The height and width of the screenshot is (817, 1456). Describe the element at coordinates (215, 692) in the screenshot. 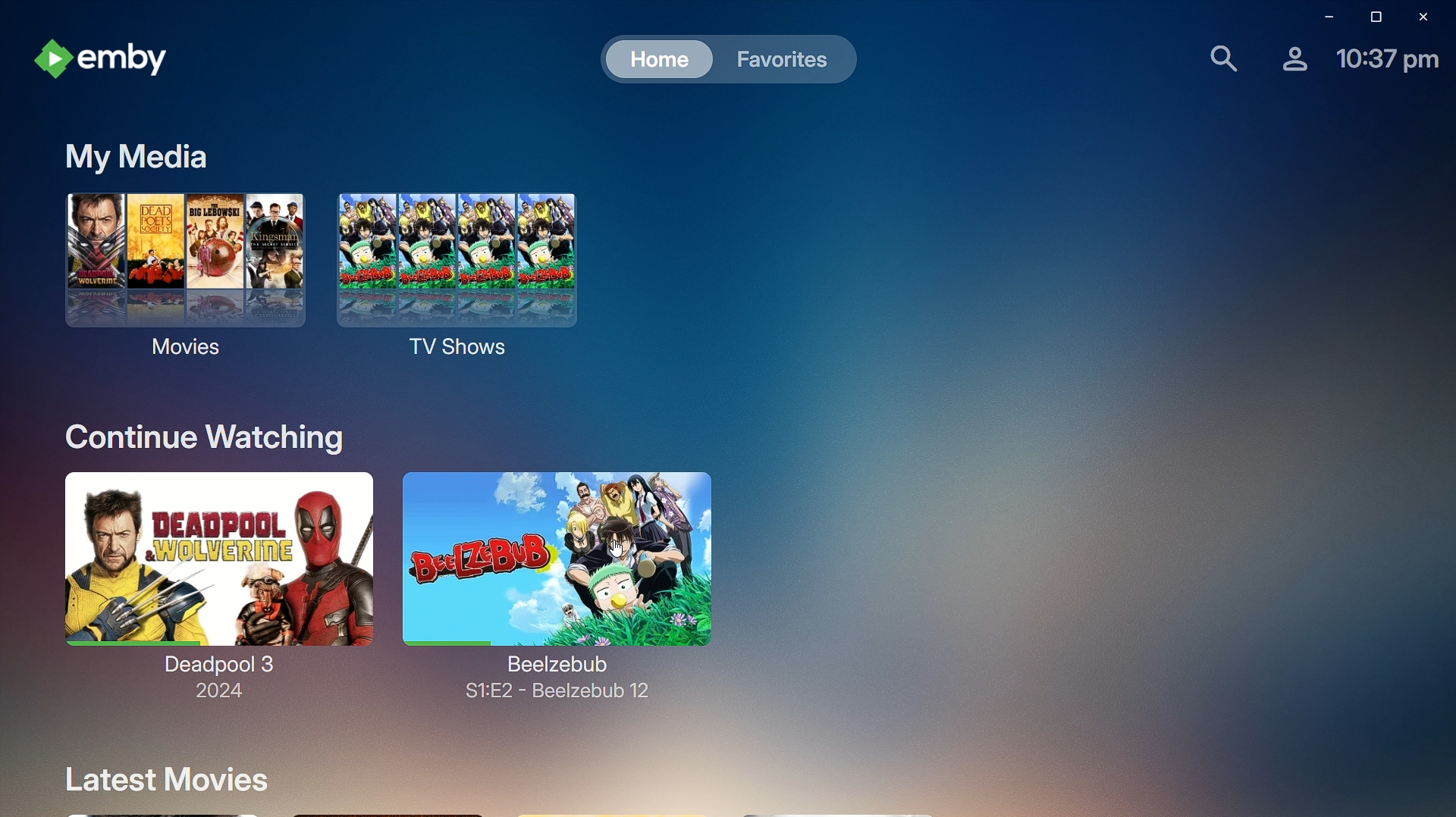

I see `2024` at that location.